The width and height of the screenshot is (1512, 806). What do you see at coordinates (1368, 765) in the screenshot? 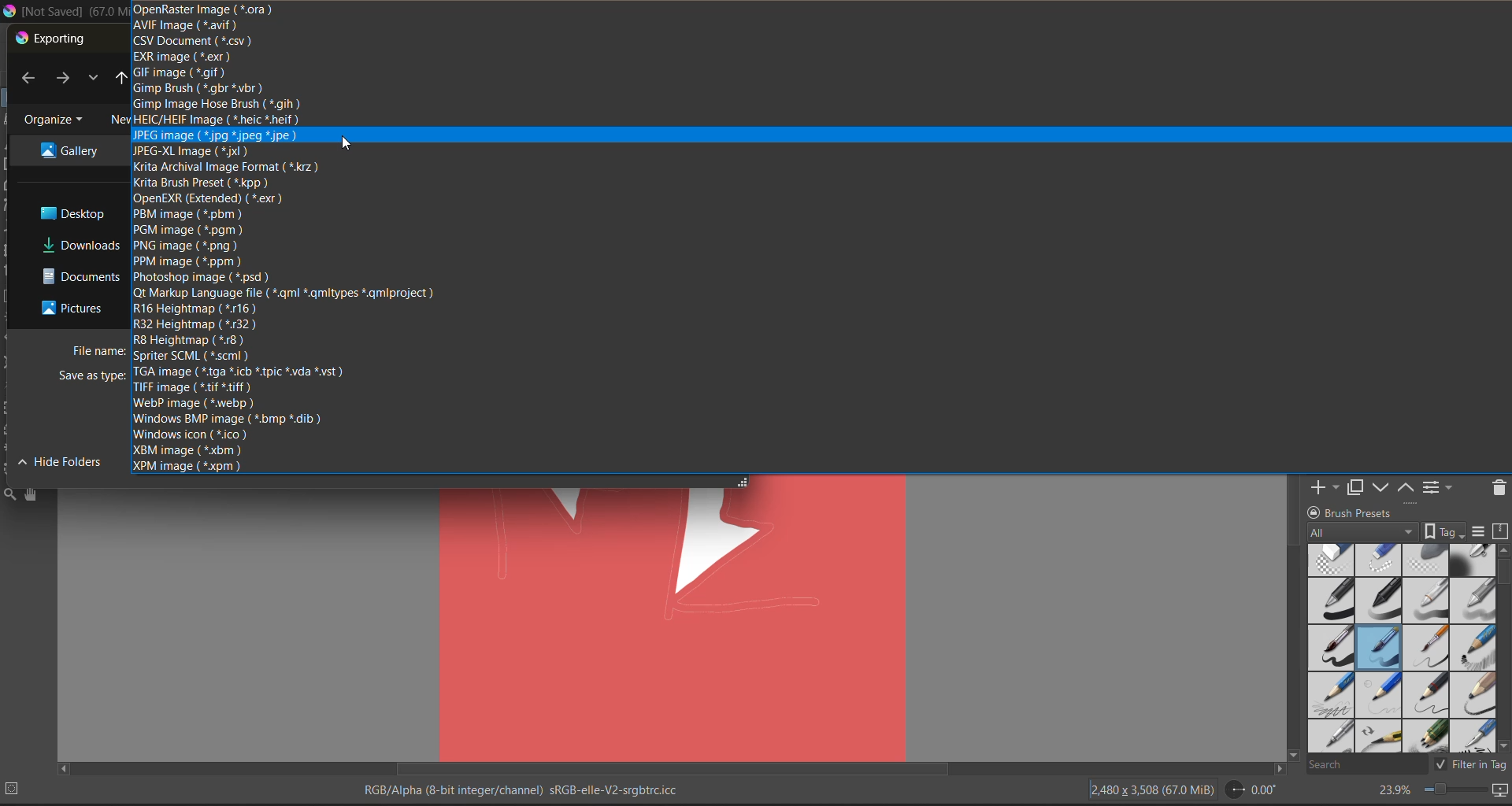
I see `search` at bounding box center [1368, 765].